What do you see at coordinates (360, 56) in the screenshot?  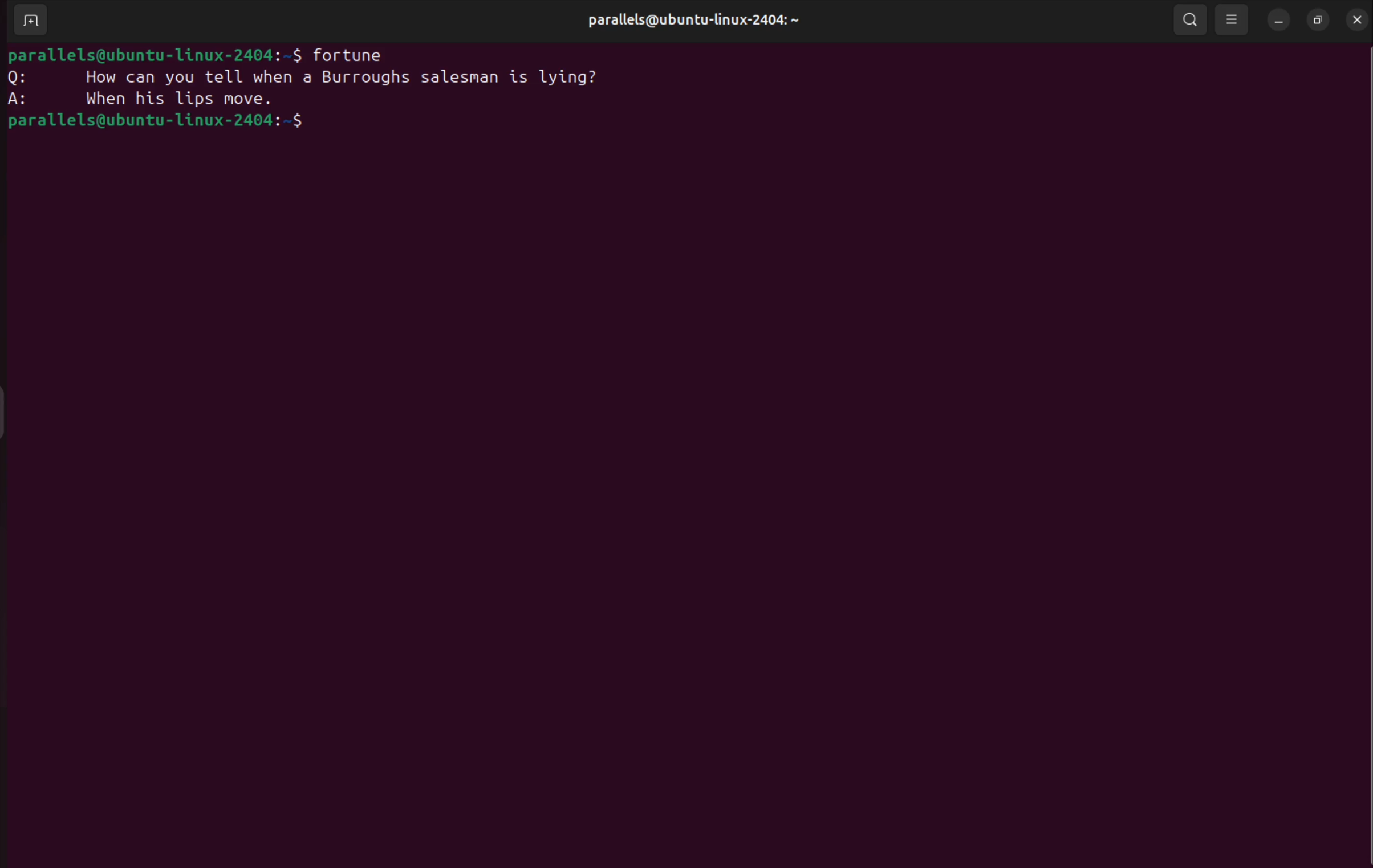 I see `fortune` at bounding box center [360, 56].